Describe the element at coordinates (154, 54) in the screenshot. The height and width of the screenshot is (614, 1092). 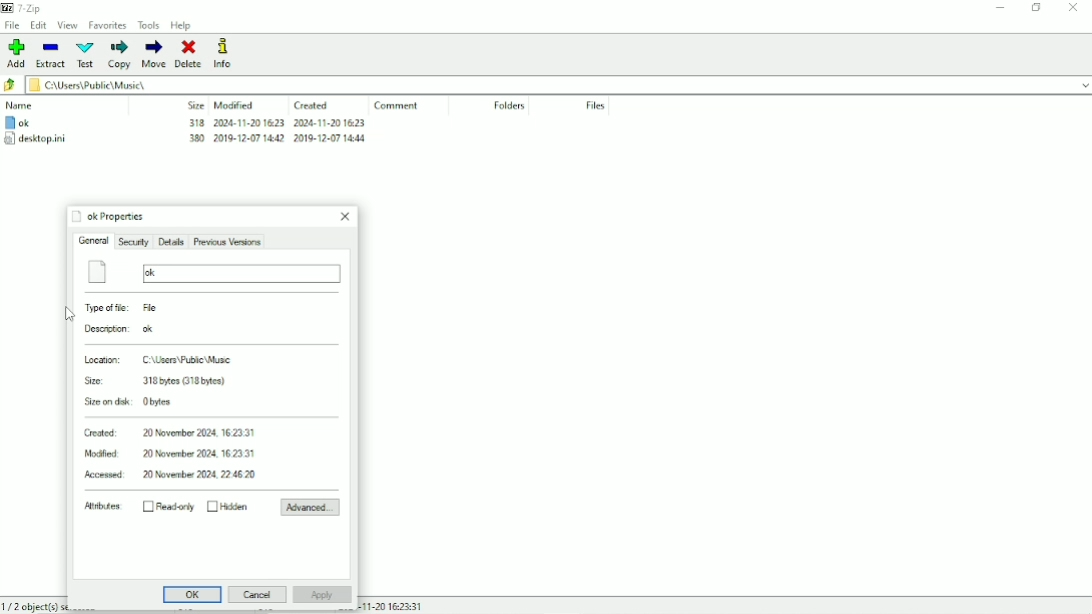
I see `Move` at that location.